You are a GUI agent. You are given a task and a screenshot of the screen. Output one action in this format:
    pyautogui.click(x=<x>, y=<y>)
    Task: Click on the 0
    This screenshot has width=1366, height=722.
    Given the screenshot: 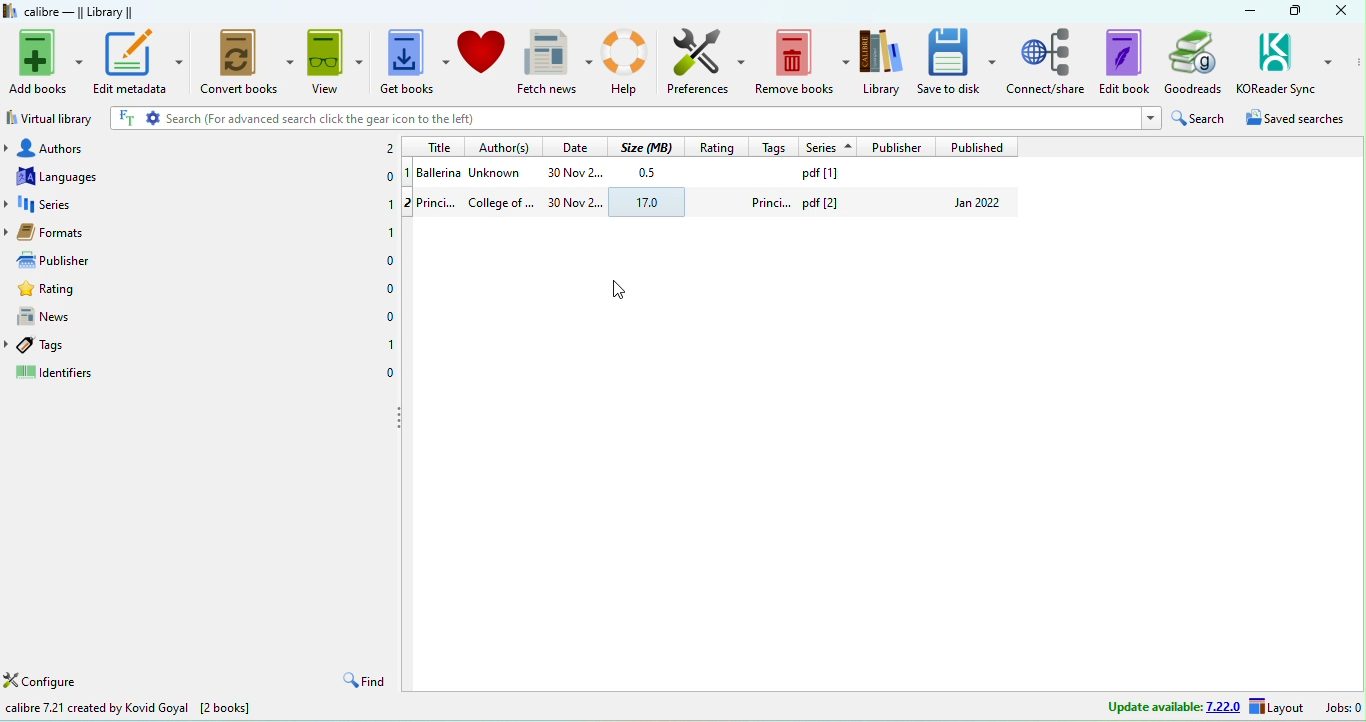 What is the action you would take?
    pyautogui.click(x=389, y=372)
    